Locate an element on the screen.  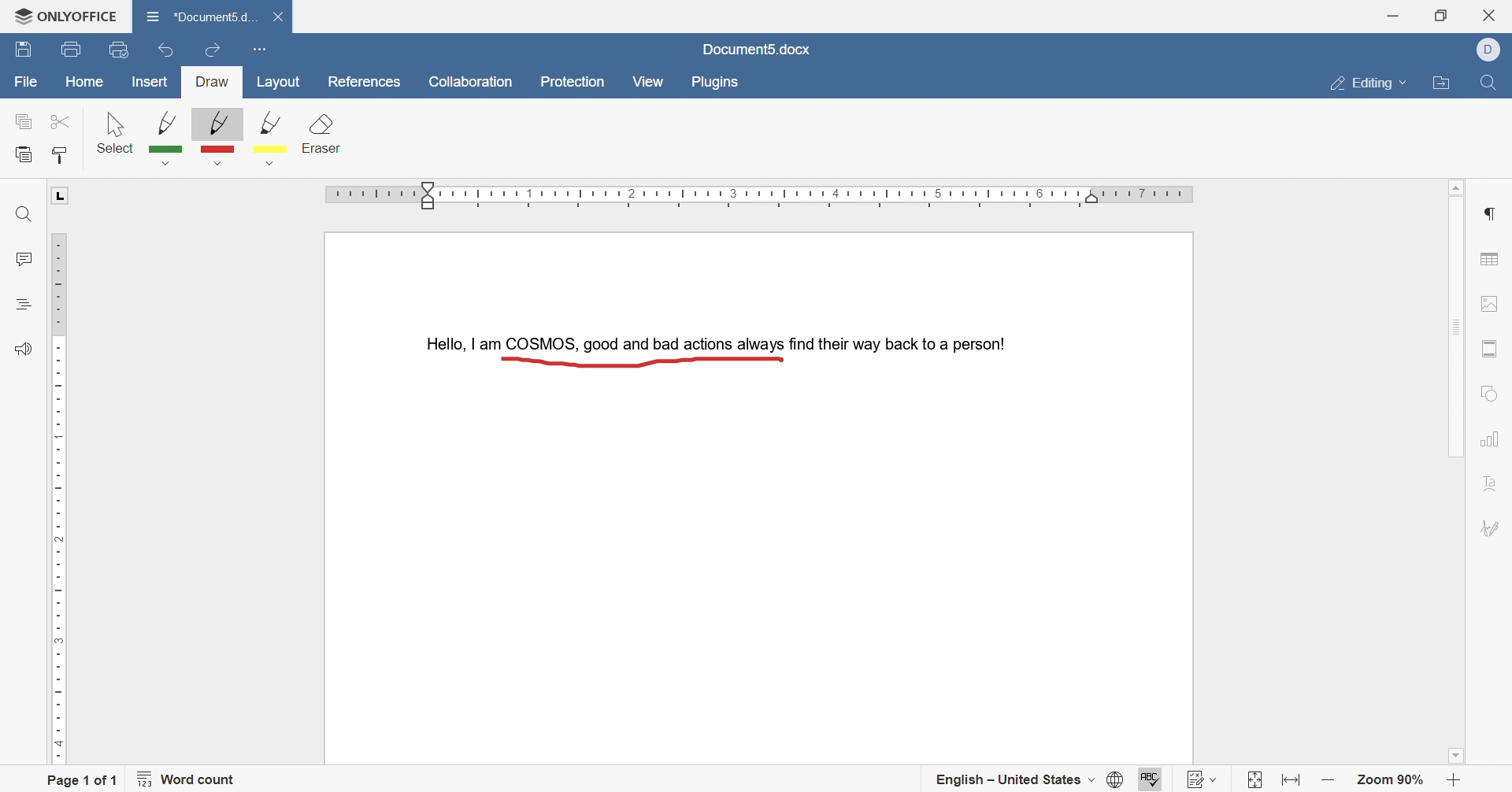
insert is located at coordinates (150, 83).